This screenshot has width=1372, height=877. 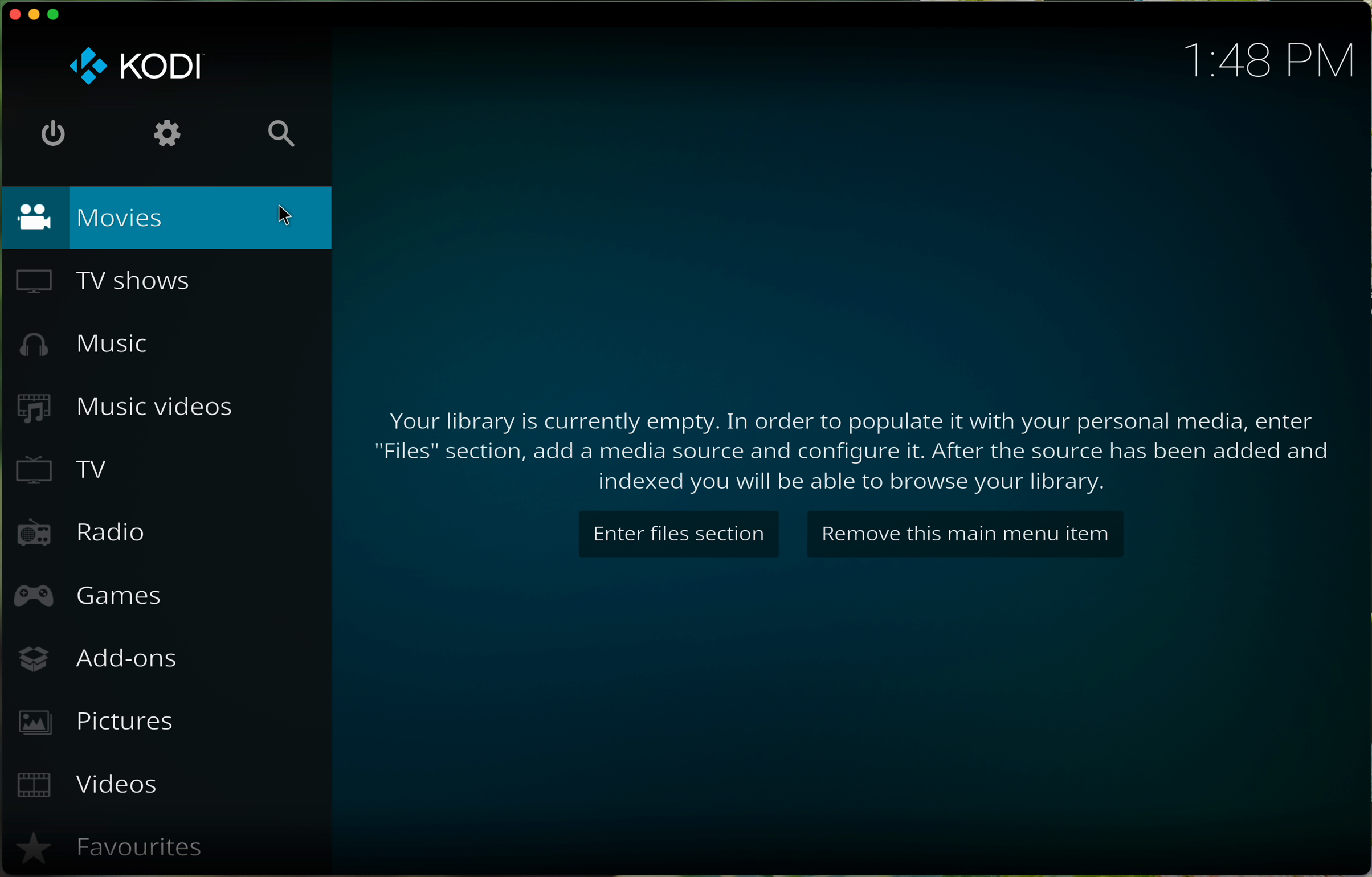 What do you see at coordinates (126, 724) in the screenshot?
I see `pictures` at bounding box center [126, 724].